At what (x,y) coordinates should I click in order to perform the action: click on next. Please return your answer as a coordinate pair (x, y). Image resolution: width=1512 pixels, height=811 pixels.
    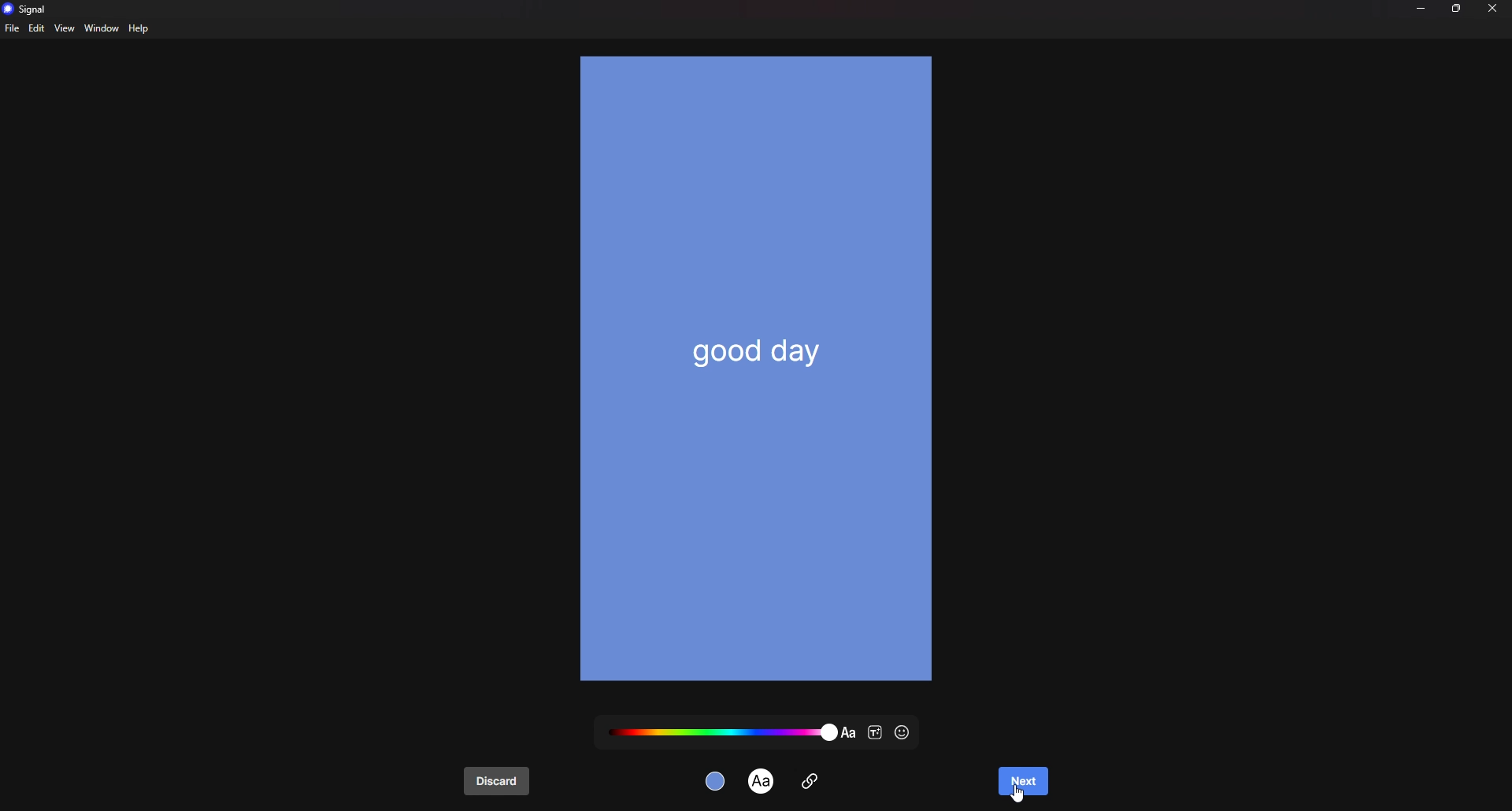
    Looking at the image, I should click on (1022, 783).